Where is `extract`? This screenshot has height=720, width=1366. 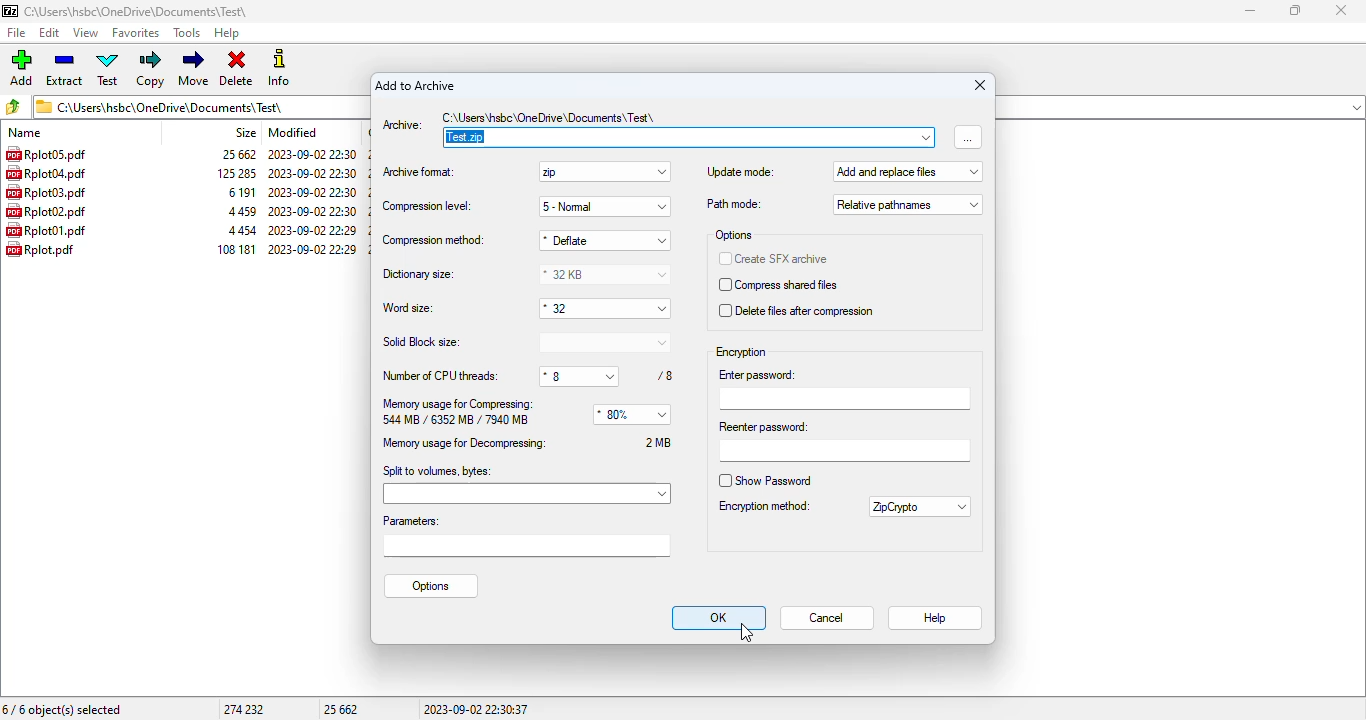 extract is located at coordinates (66, 68).